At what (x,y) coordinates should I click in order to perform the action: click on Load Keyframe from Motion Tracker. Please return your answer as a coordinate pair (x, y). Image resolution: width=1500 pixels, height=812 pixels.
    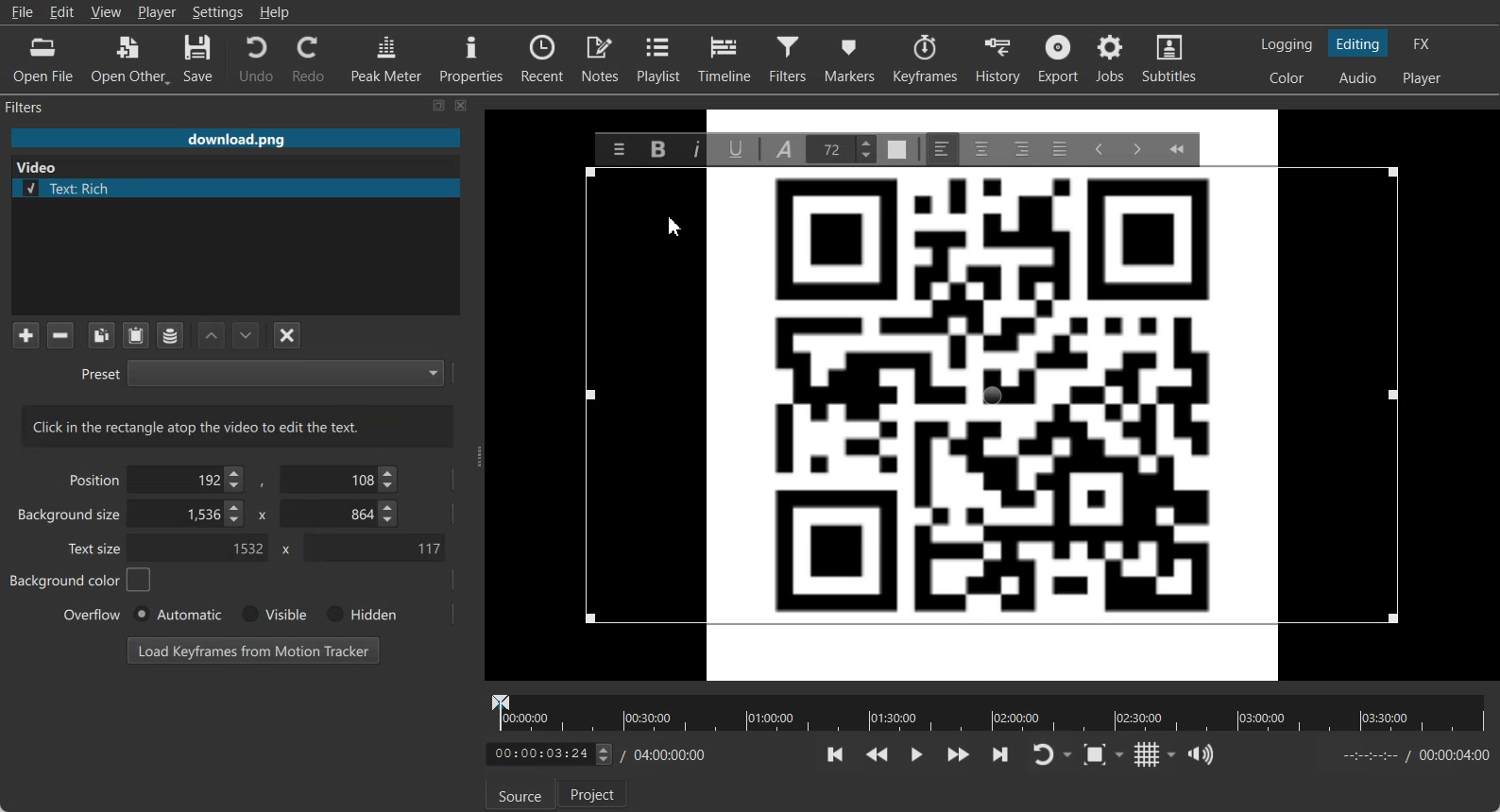
    Looking at the image, I should click on (253, 650).